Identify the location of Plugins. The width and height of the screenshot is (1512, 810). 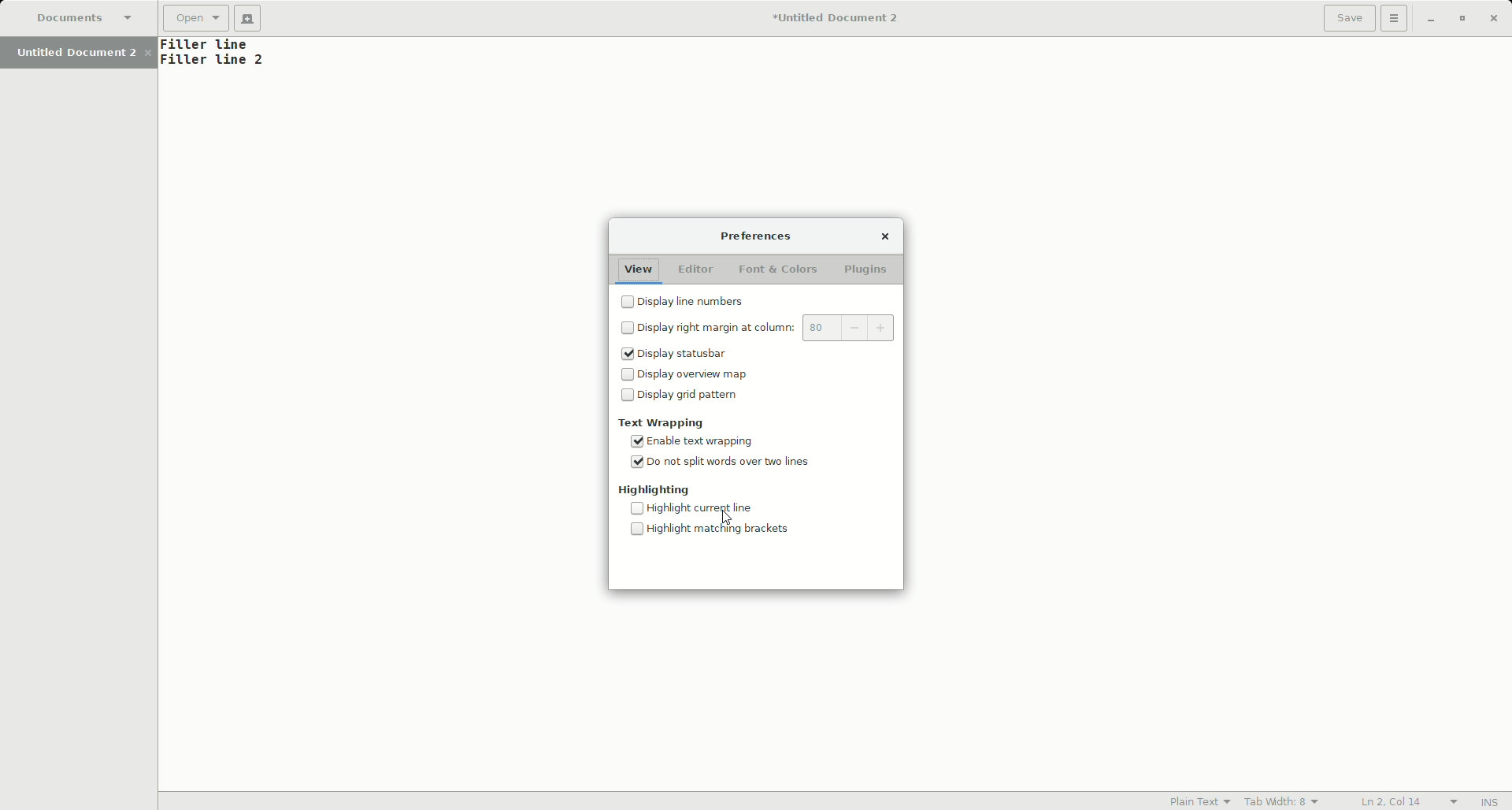
(868, 271).